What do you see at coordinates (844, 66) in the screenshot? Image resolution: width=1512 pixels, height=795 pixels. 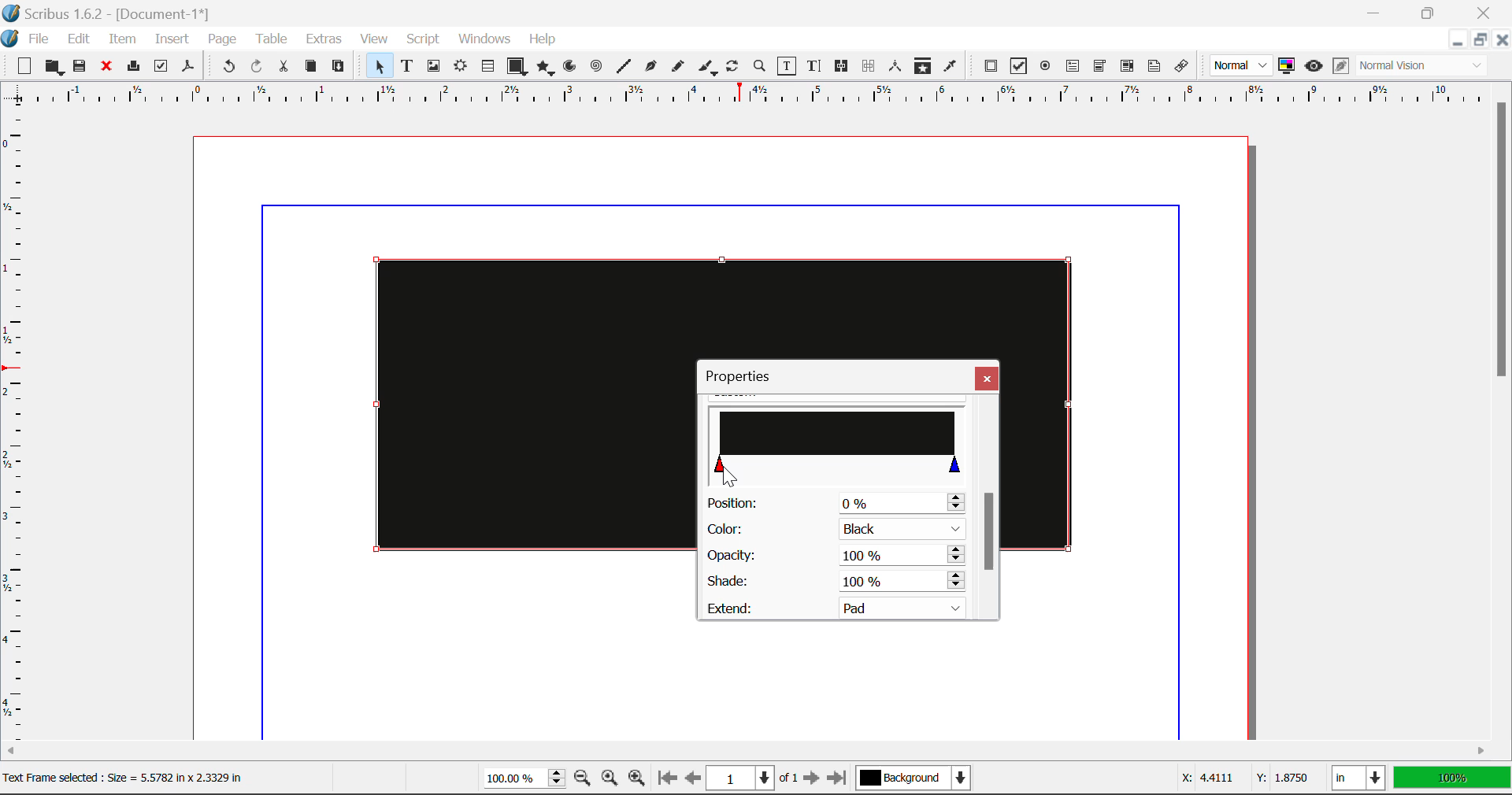 I see `Link Frames` at bounding box center [844, 66].